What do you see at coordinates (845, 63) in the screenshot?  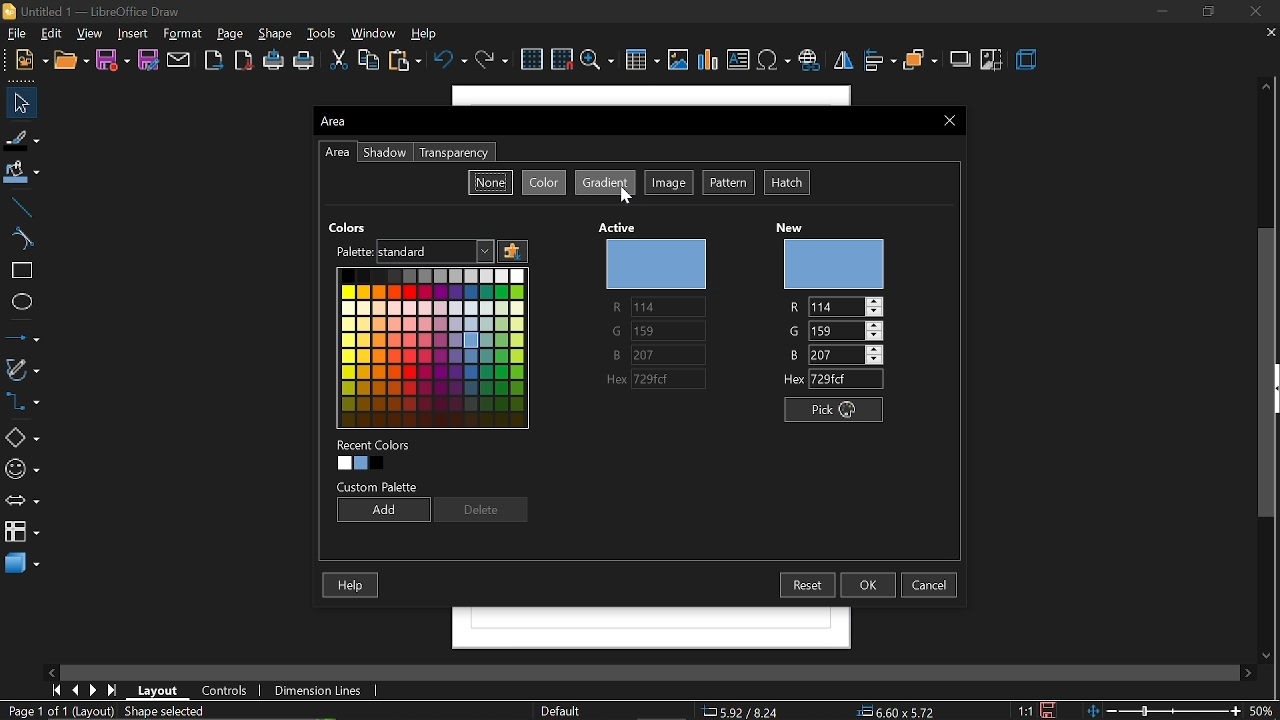 I see `flip` at bounding box center [845, 63].